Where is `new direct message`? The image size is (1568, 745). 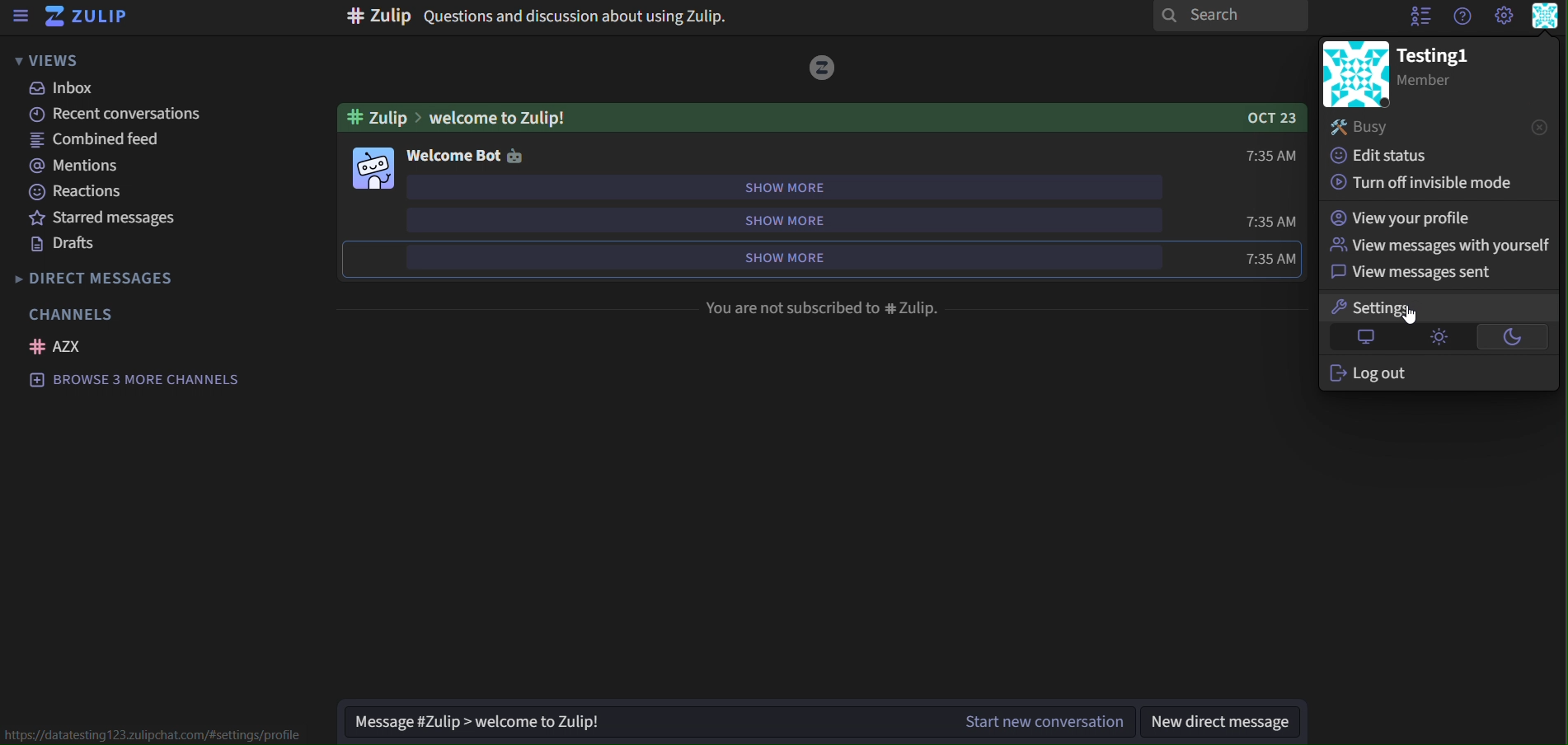 new direct message is located at coordinates (1228, 721).